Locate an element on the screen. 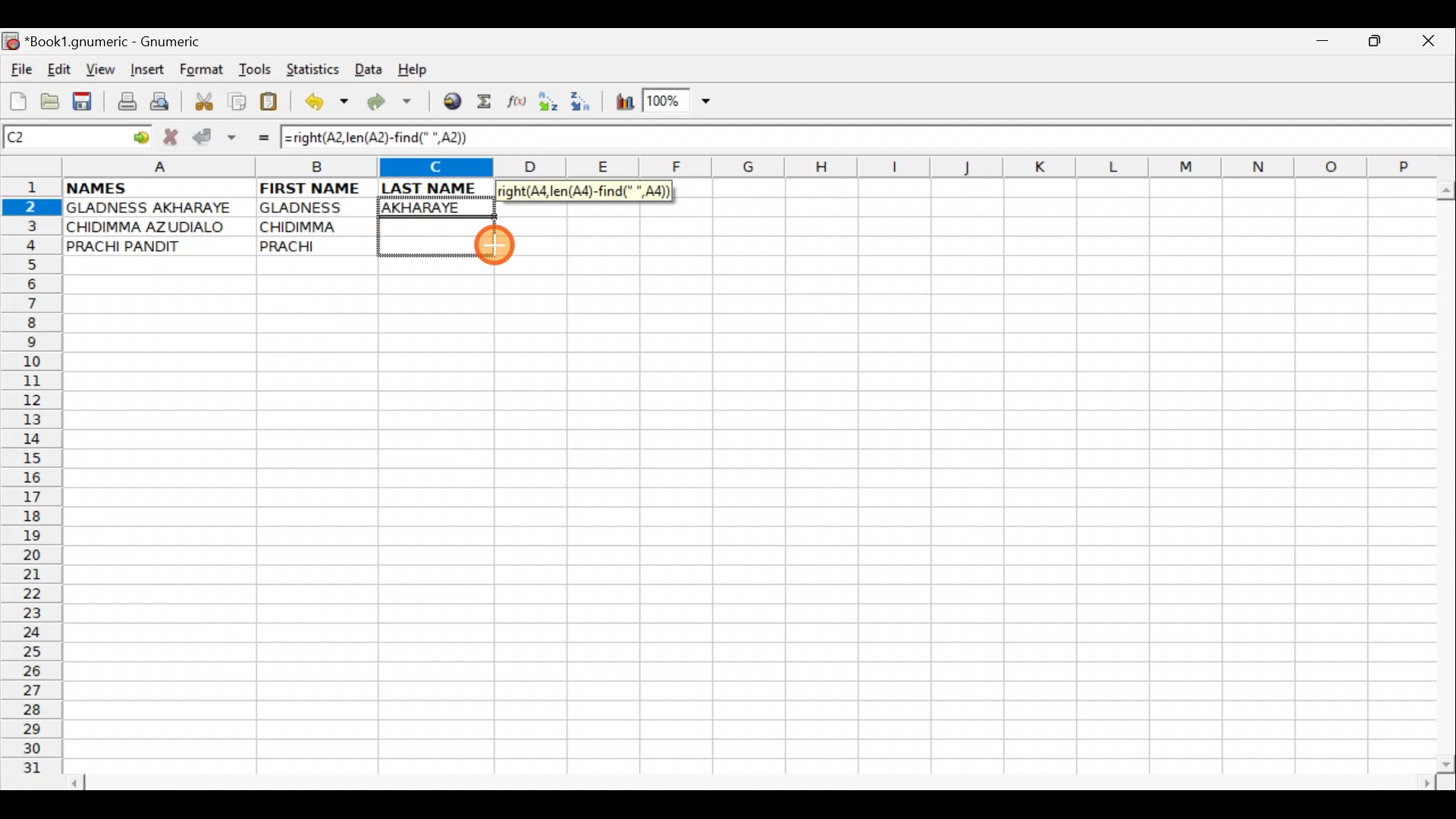  Sort Ascending order is located at coordinates (553, 105).